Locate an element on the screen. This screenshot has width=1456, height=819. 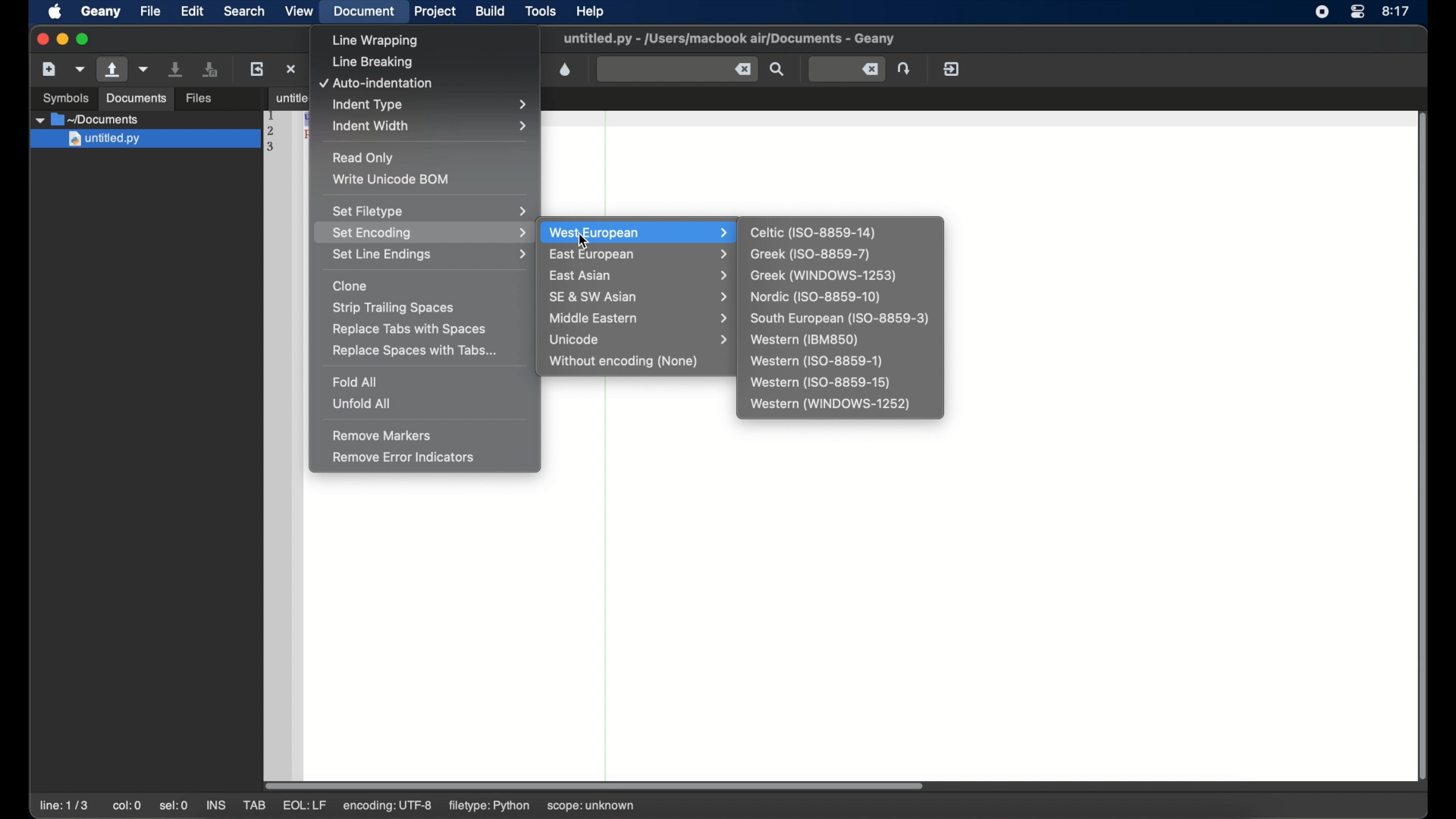
minimize is located at coordinates (62, 39).